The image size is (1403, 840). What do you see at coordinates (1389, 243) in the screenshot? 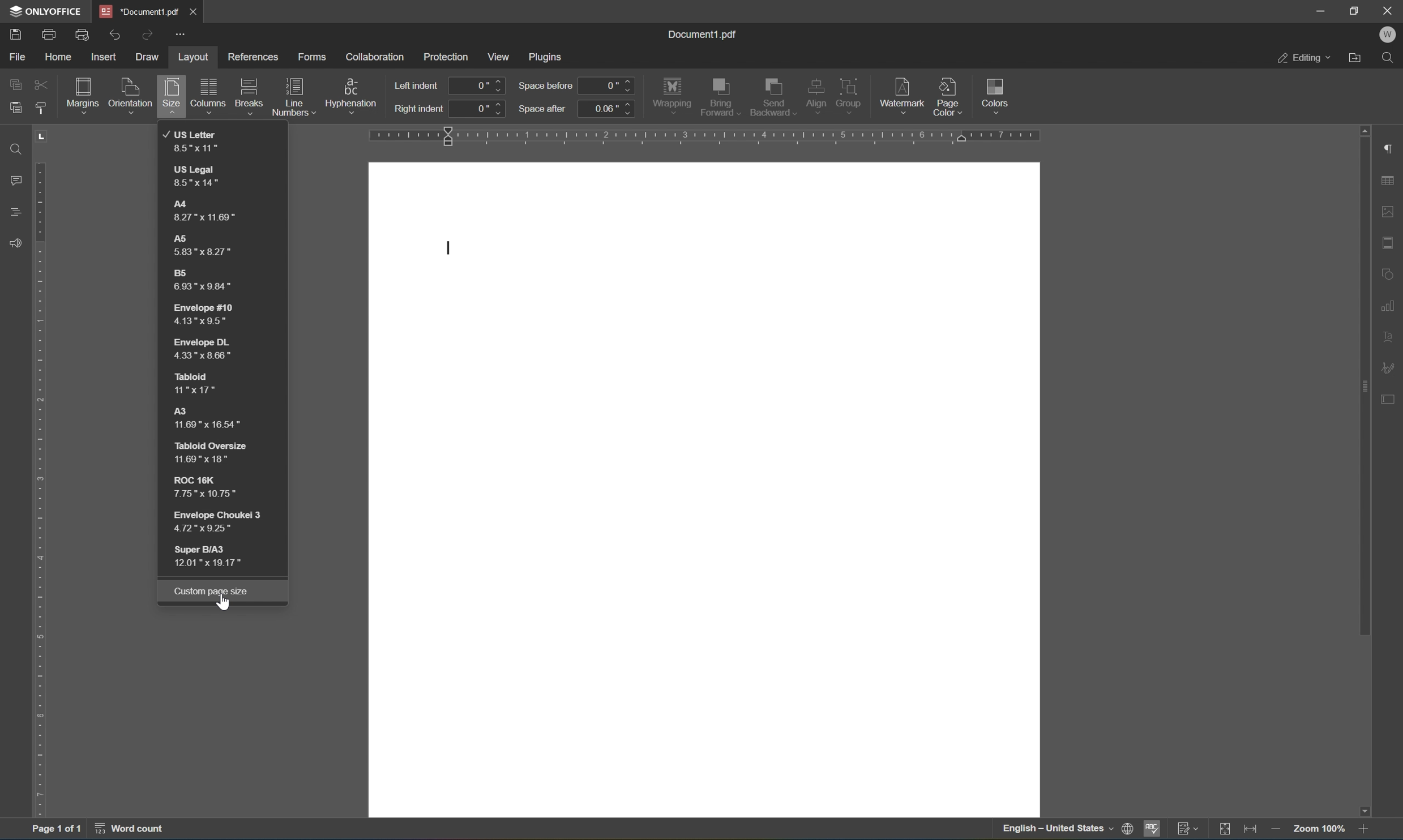
I see `header & footer settings` at bounding box center [1389, 243].